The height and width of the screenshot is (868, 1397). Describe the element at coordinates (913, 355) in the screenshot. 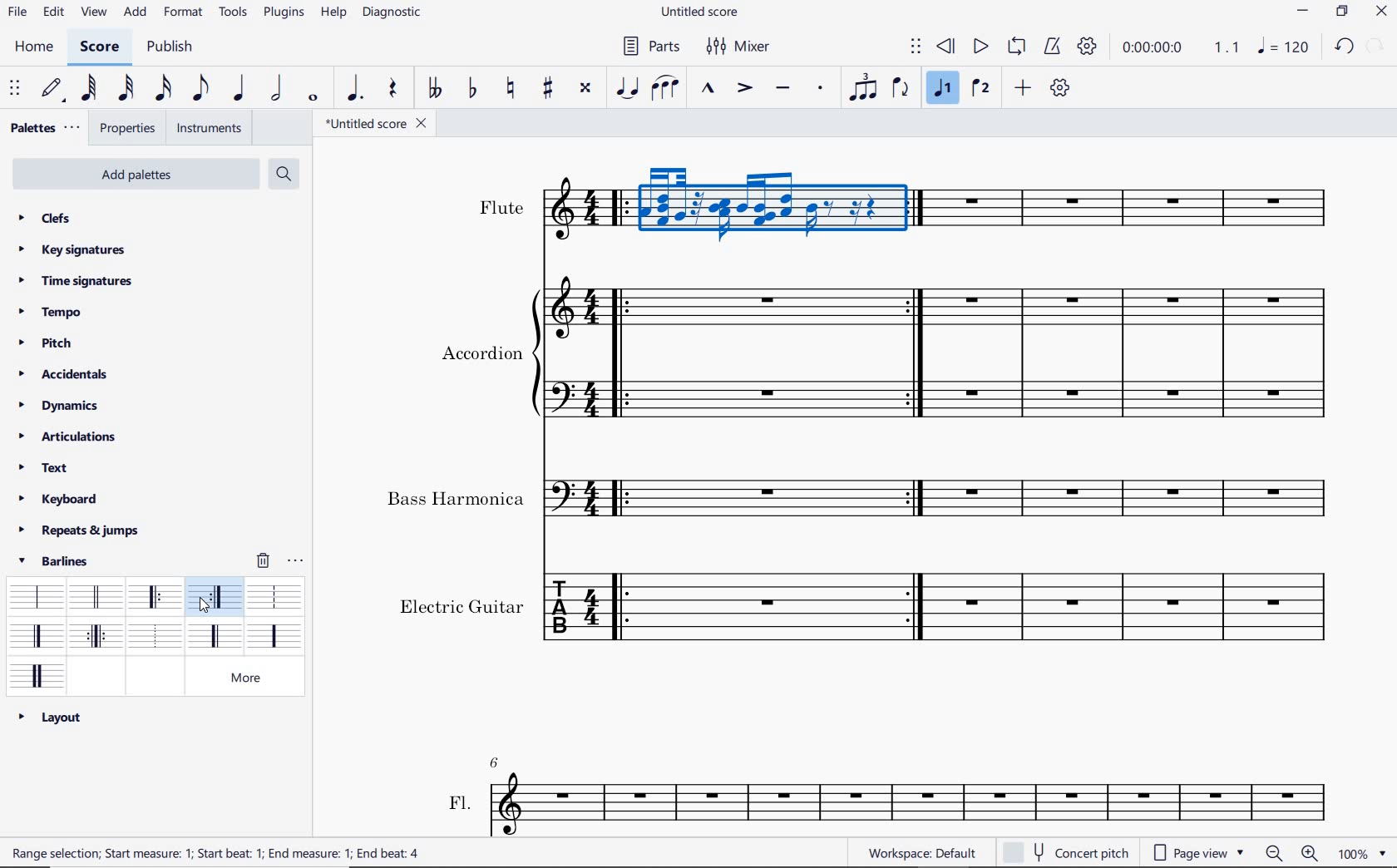

I see `right (end) repeat sign added` at that location.